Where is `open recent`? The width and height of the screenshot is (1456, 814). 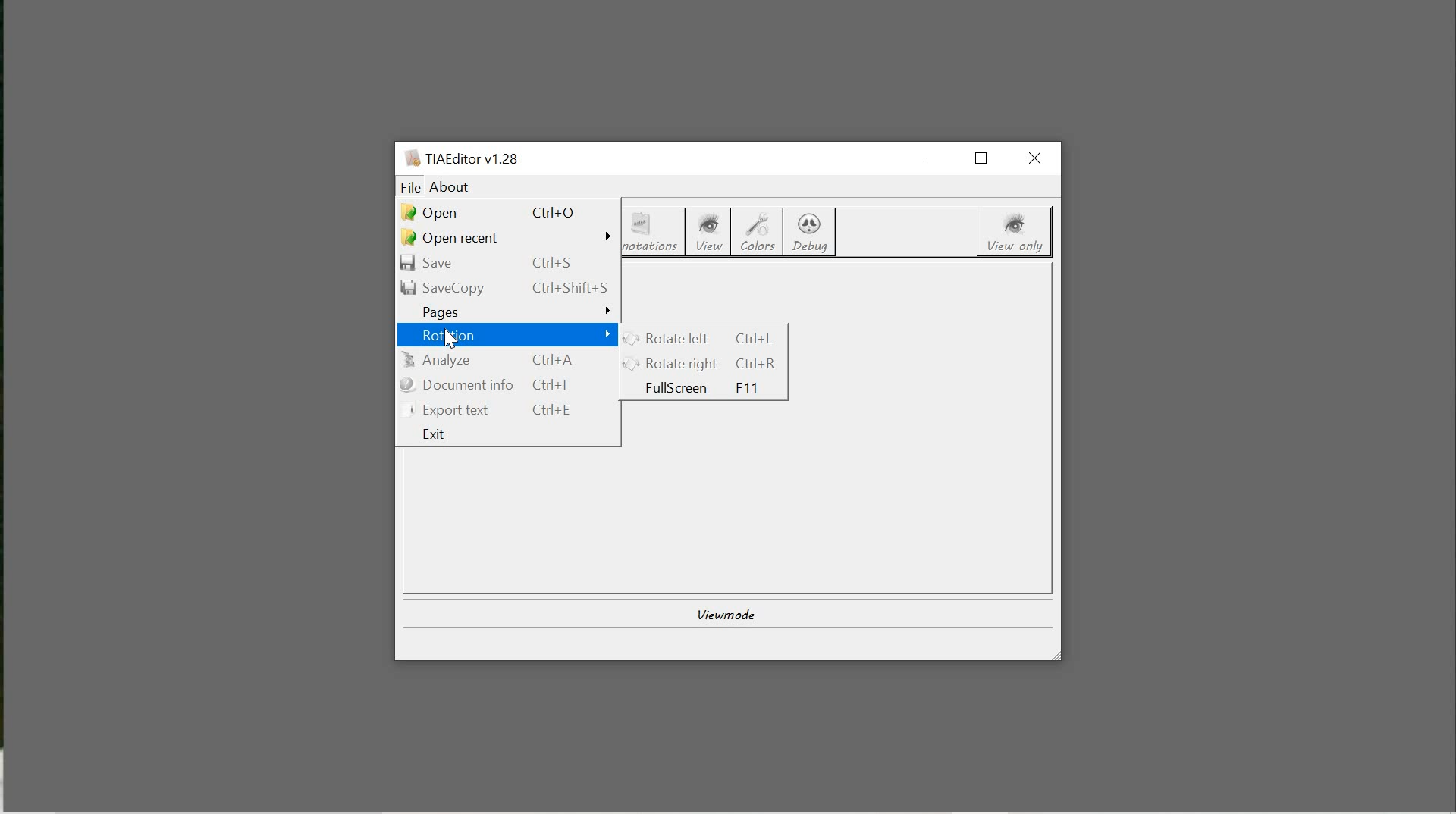 open recent is located at coordinates (507, 238).